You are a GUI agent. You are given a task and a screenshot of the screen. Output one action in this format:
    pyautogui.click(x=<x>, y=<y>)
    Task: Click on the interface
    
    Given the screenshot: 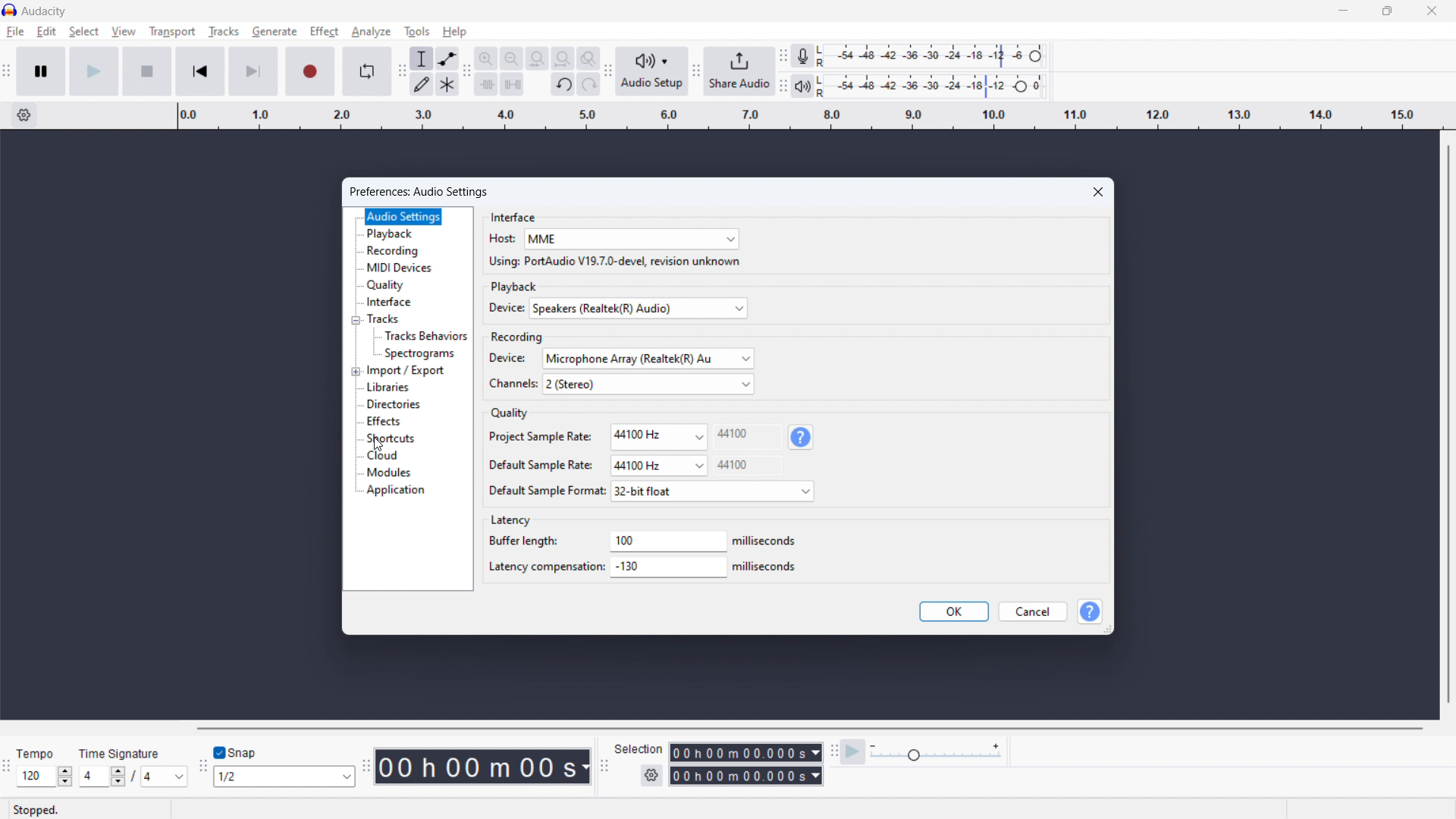 What is the action you would take?
    pyautogui.click(x=515, y=216)
    